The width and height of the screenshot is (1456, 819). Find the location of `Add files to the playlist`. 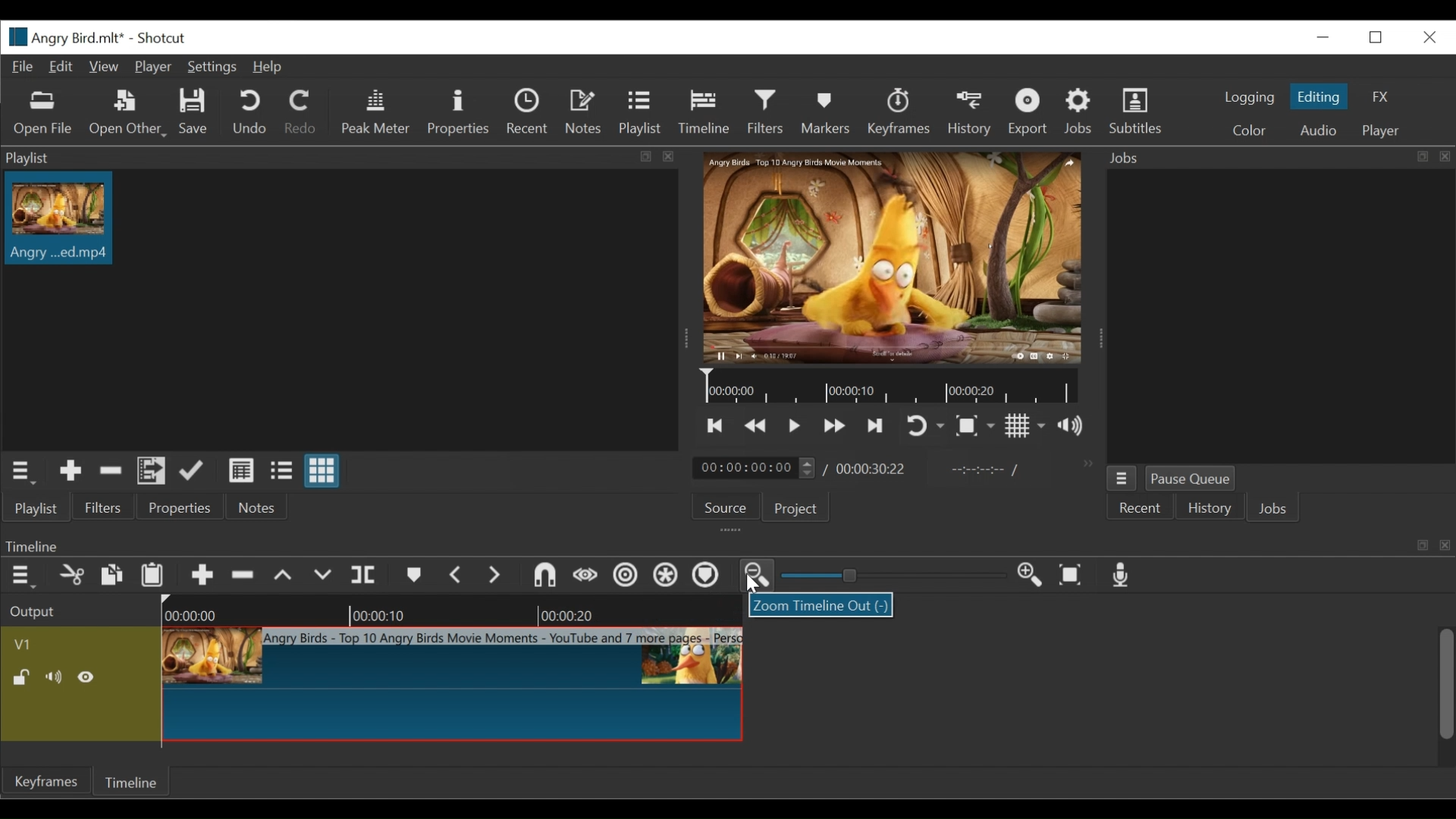

Add files to the playlist is located at coordinates (152, 471).